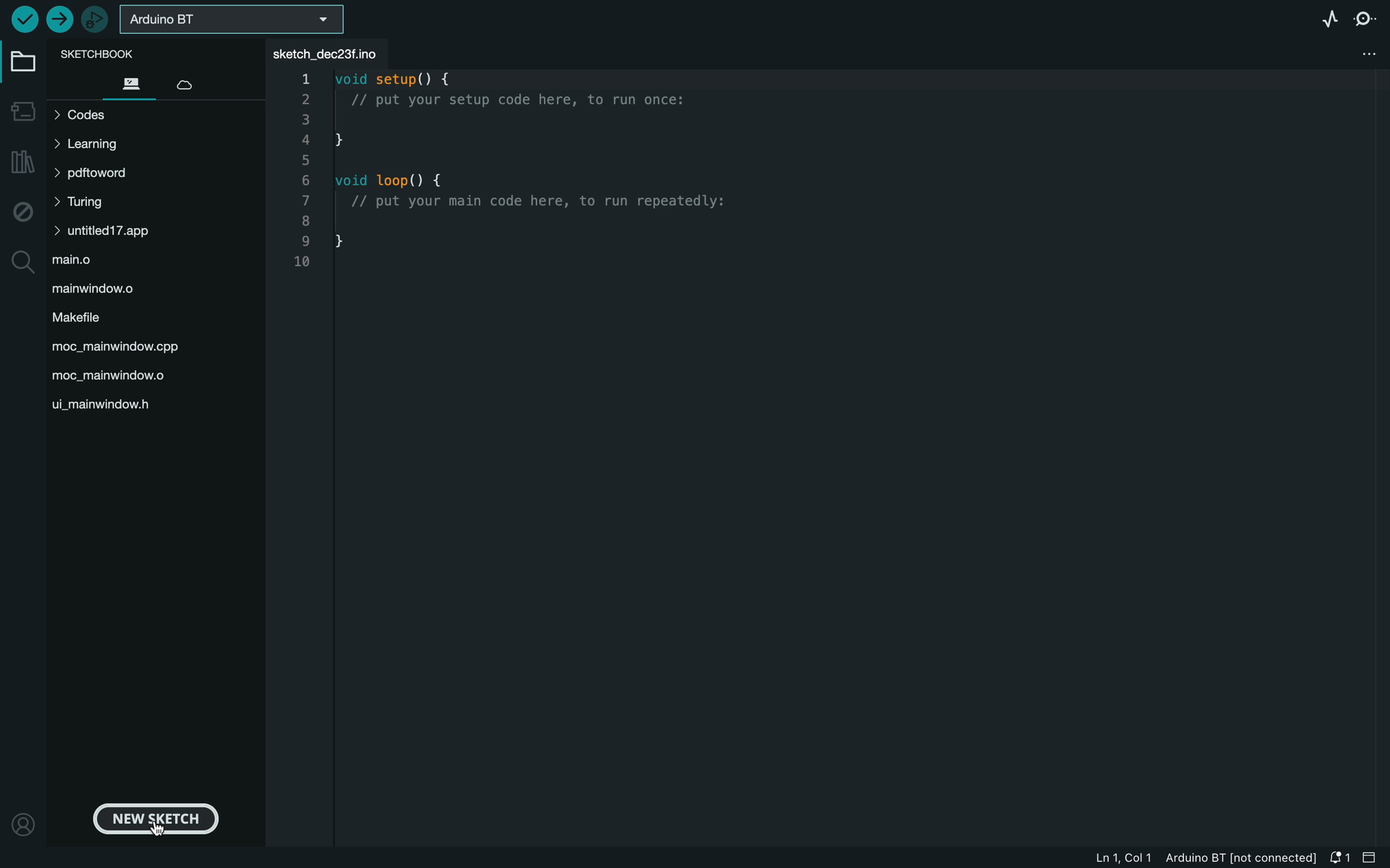 The height and width of the screenshot is (868, 1390). I want to click on cursor, so click(160, 830).